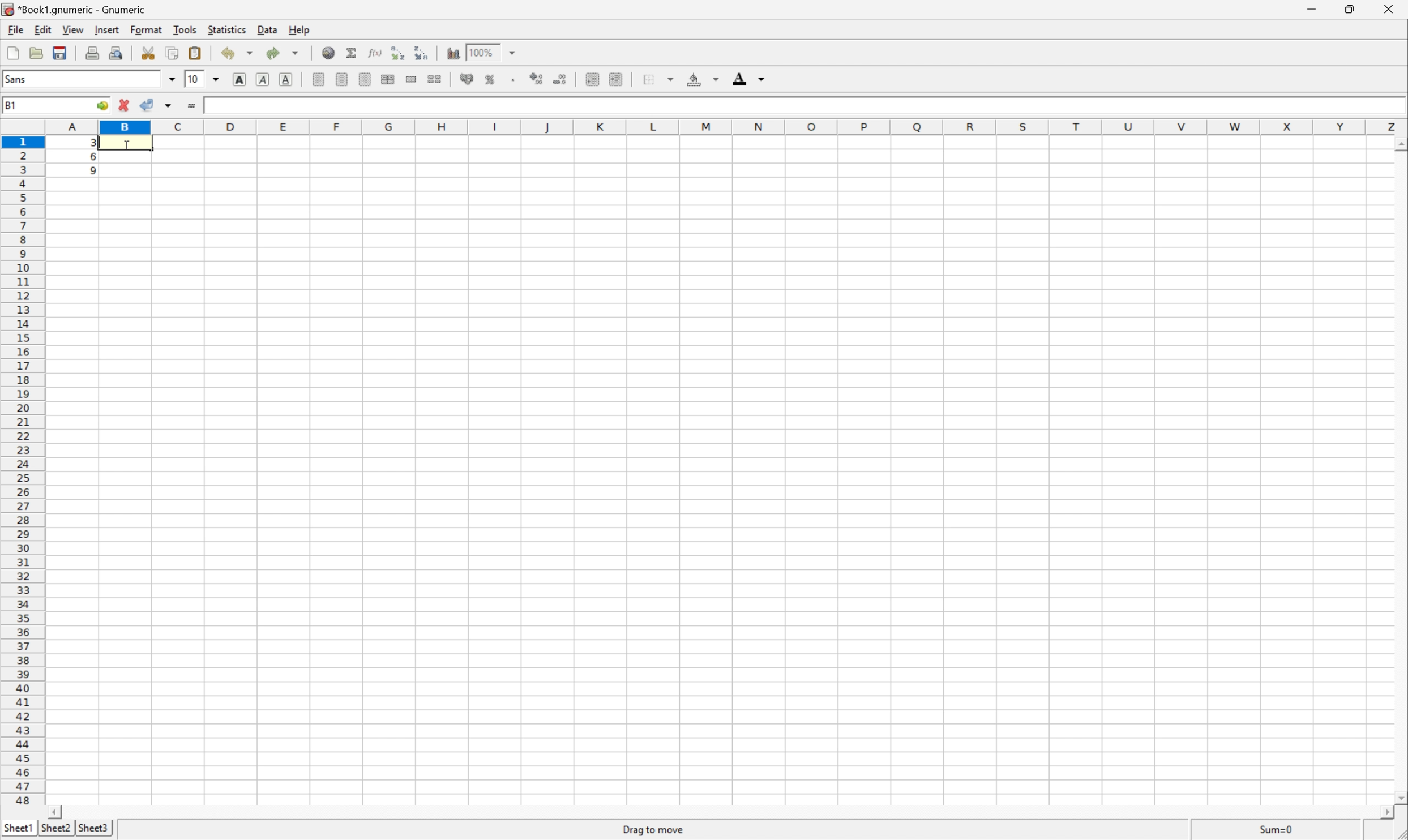  Describe the element at coordinates (14, 29) in the screenshot. I see `File` at that location.